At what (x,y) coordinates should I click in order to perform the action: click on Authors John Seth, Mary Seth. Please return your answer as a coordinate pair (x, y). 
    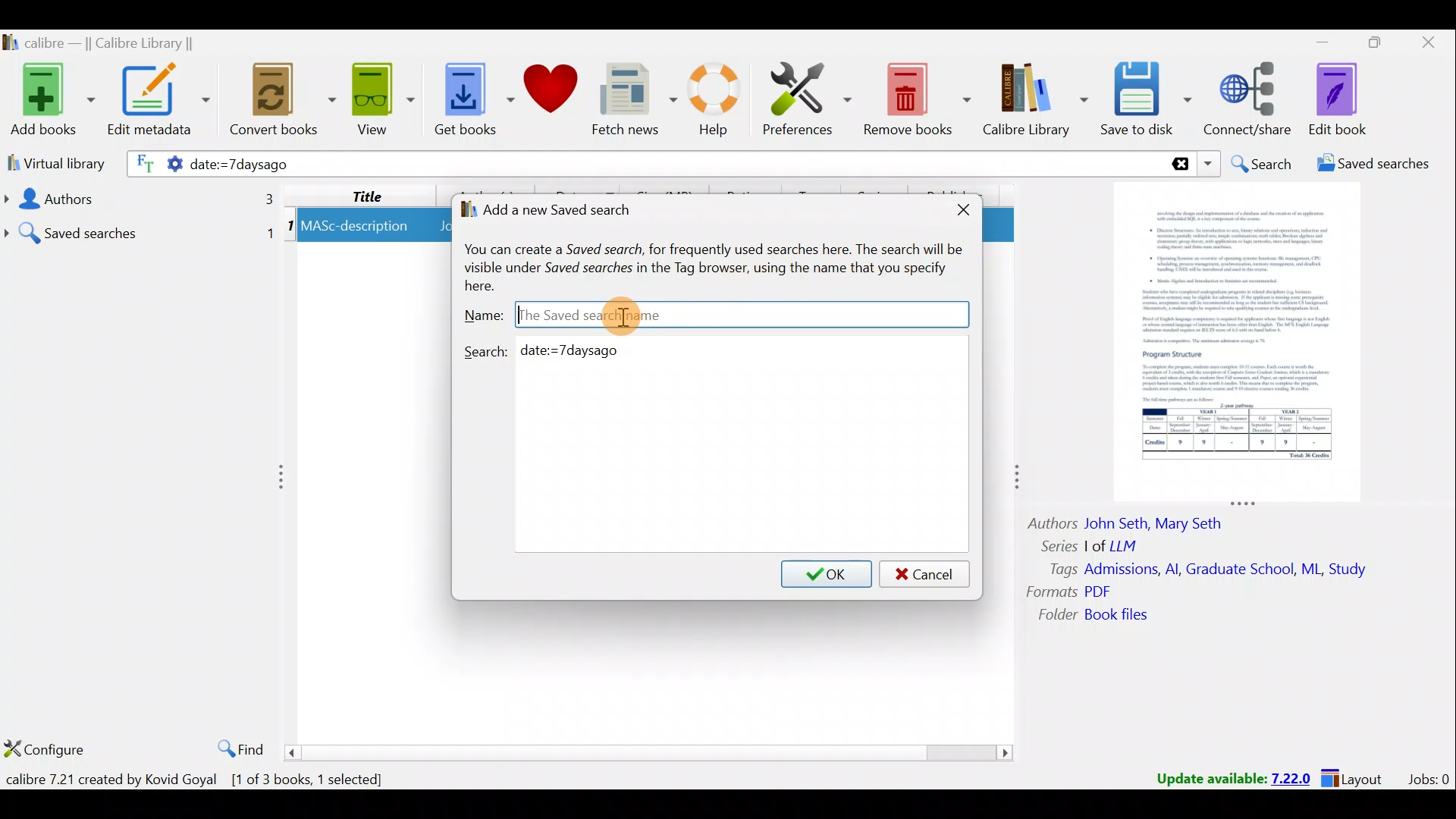
    Looking at the image, I should click on (1137, 521).